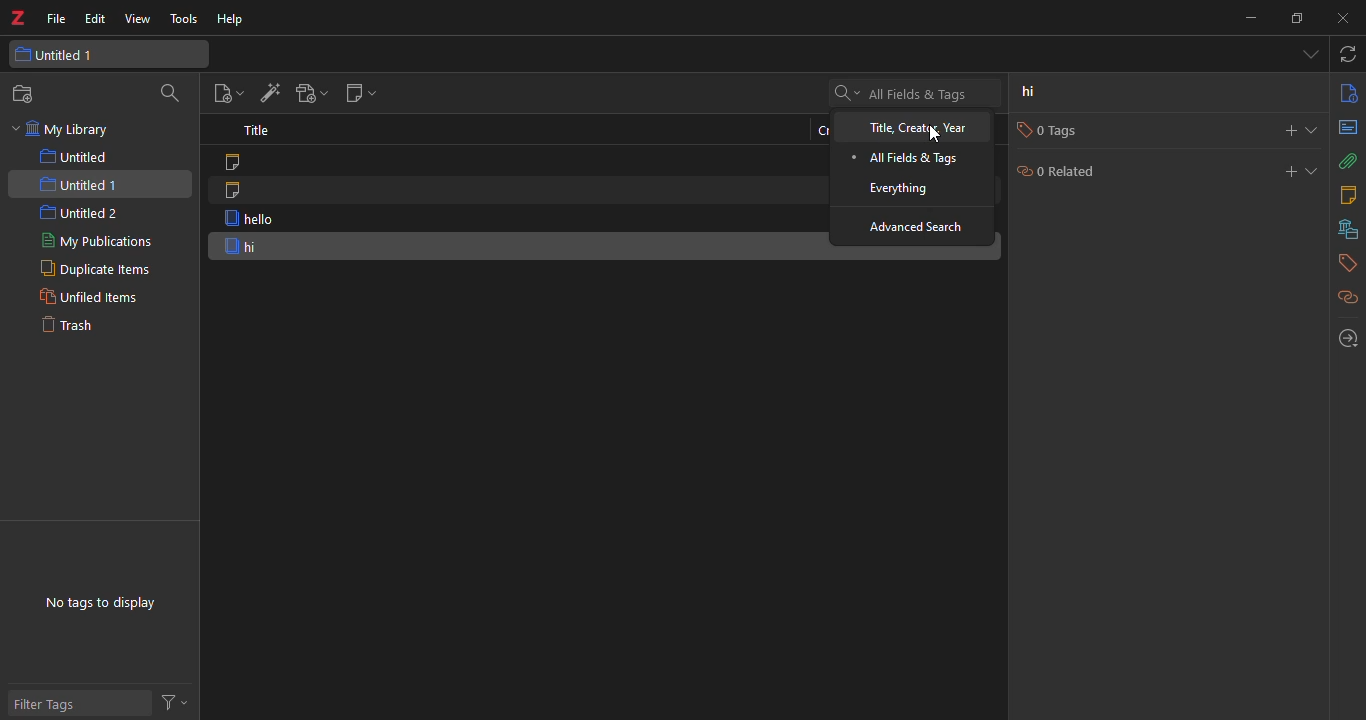 Image resolution: width=1366 pixels, height=720 pixels. I want to click on abstract, so click(1347, 128).